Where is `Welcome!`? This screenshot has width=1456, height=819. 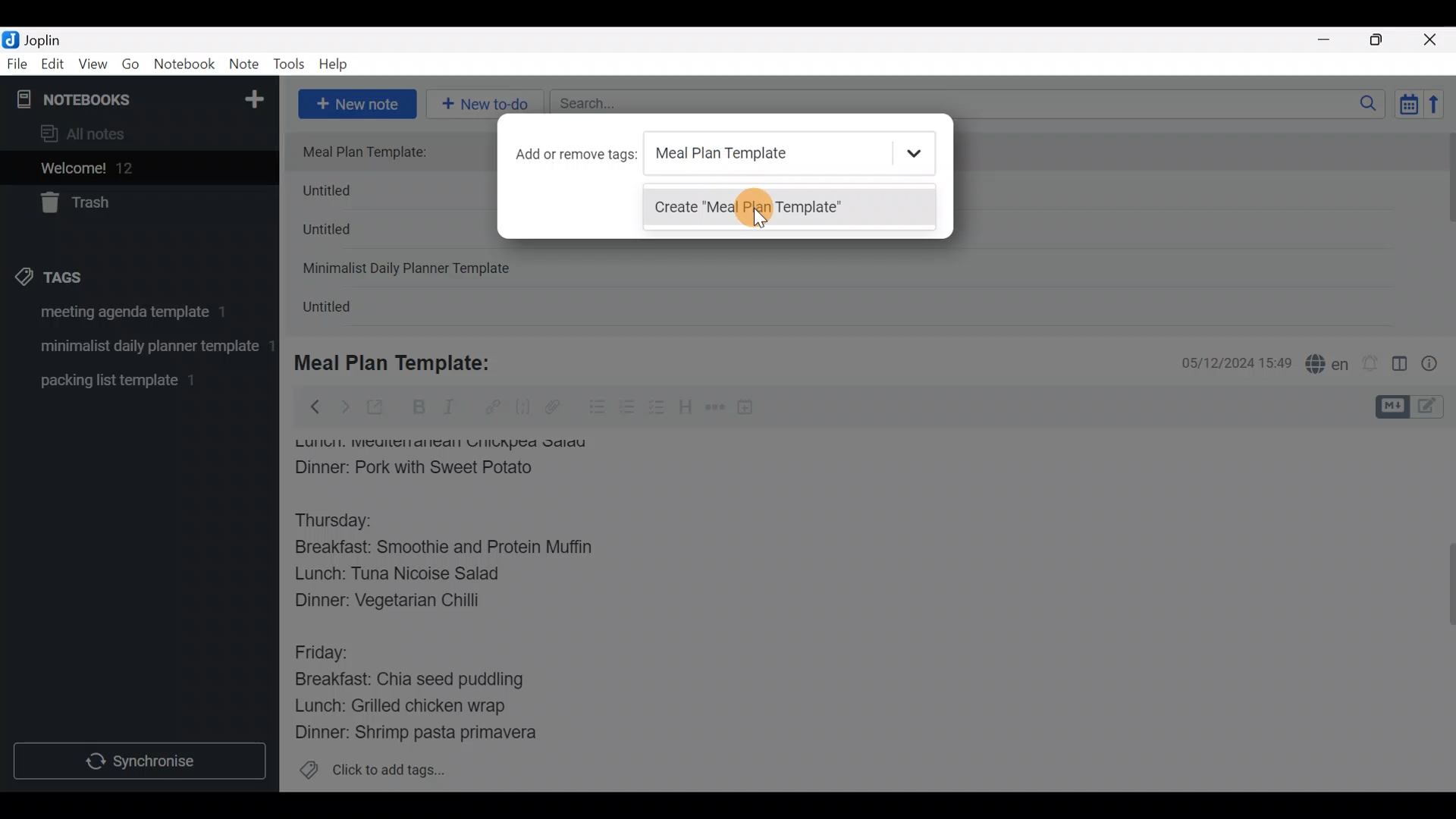 Welcome! is located at coordinates (137, 169).